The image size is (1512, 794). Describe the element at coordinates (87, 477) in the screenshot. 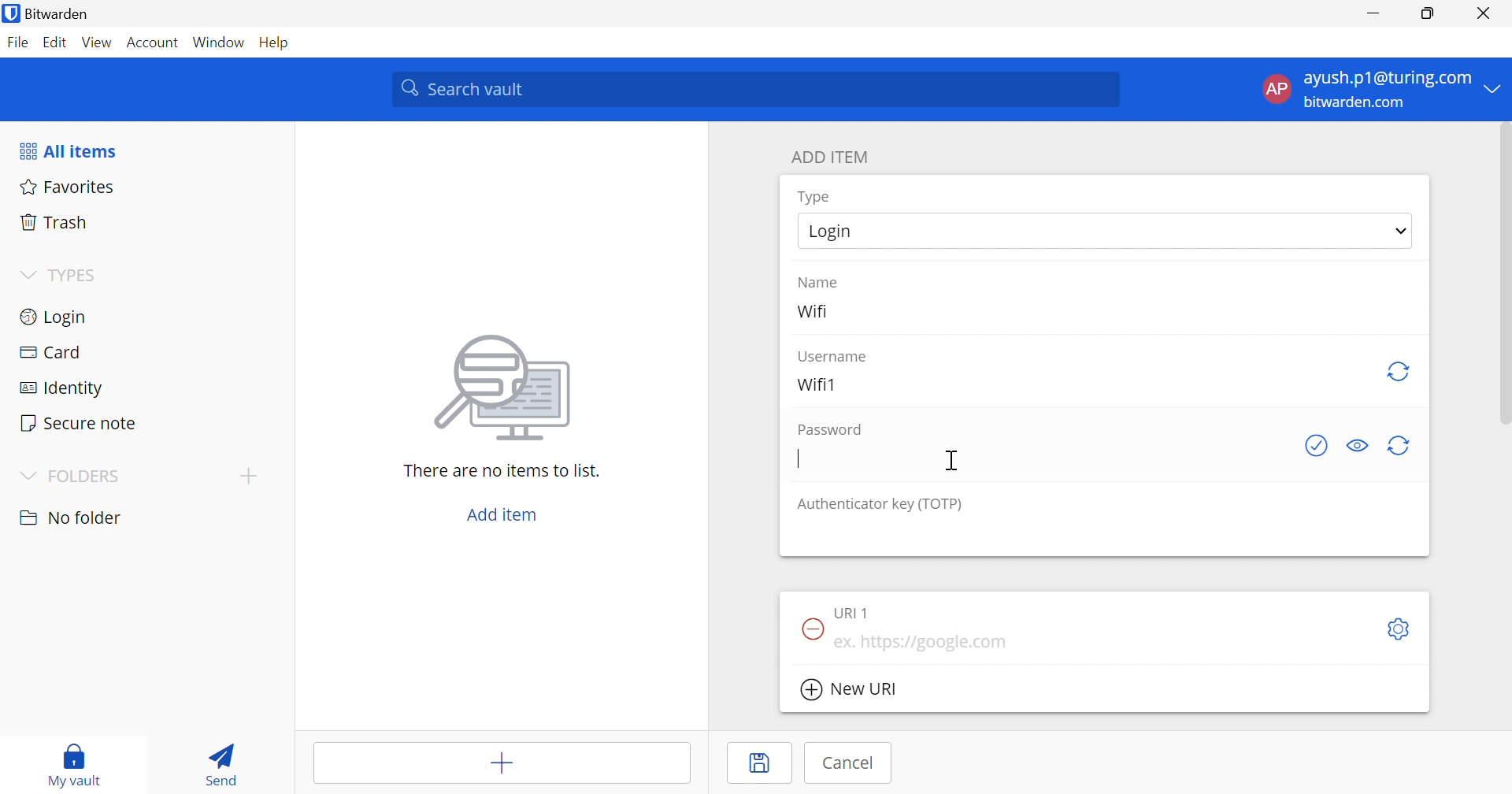

I see `FOLDERS` at that location.